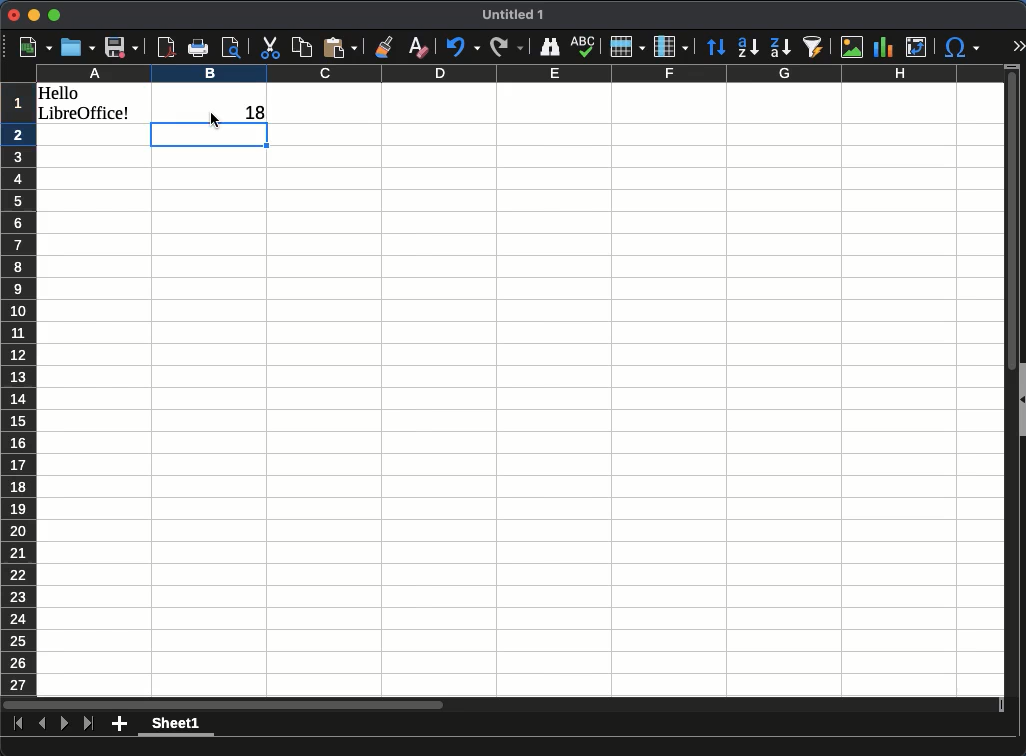 Image resolution: width=1026 pixels, height=756 pixels. What do you see at coordinates (31, 45) in the screenshot?
I see `new` at bounding box center [31, 45].